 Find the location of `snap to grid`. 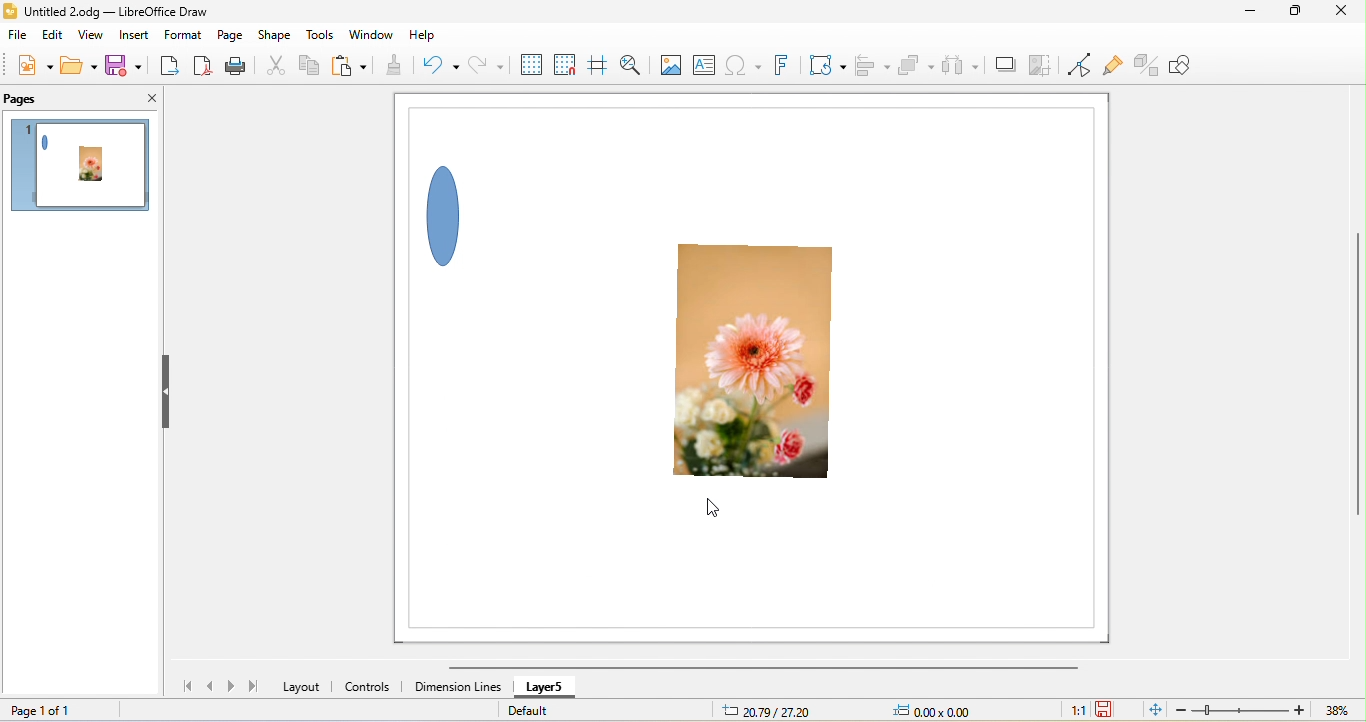

snap to grid is located at coordinates (556, 64).